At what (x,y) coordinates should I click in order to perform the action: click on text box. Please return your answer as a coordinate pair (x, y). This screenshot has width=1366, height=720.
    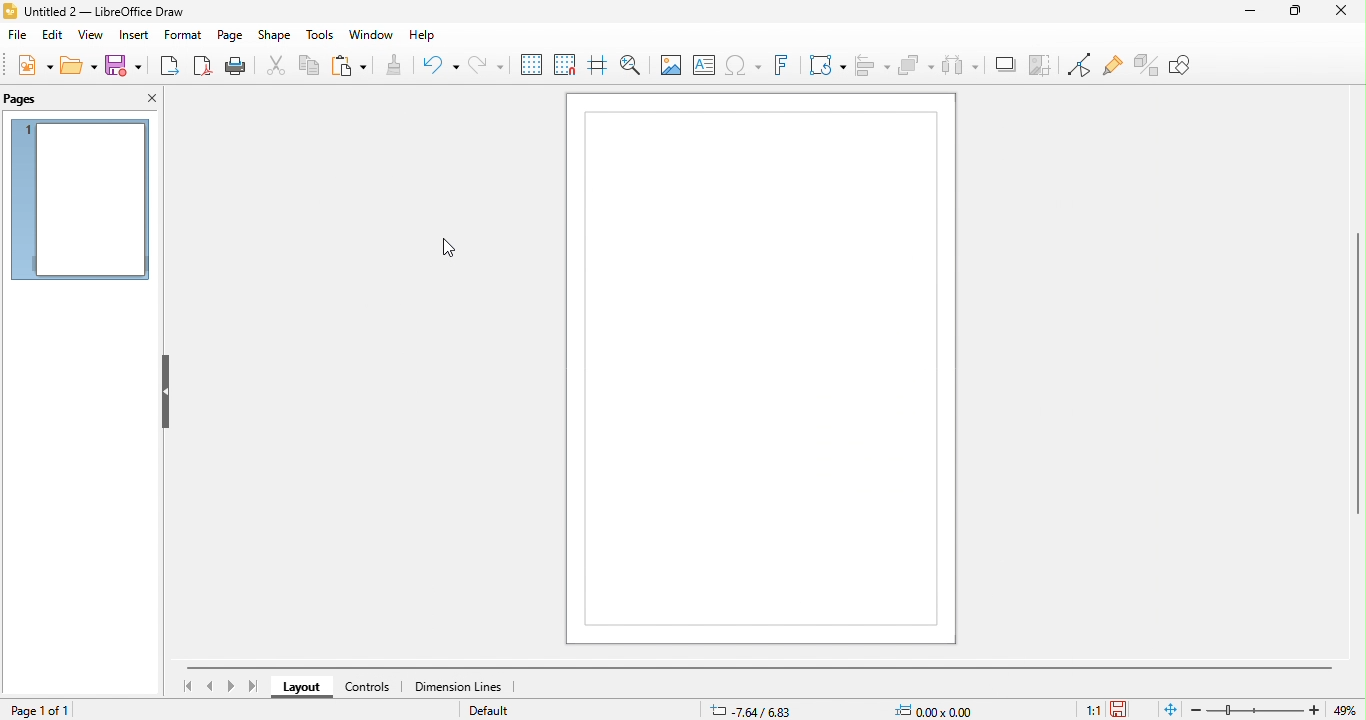
    Looking at the image, I should click on (703, 65).